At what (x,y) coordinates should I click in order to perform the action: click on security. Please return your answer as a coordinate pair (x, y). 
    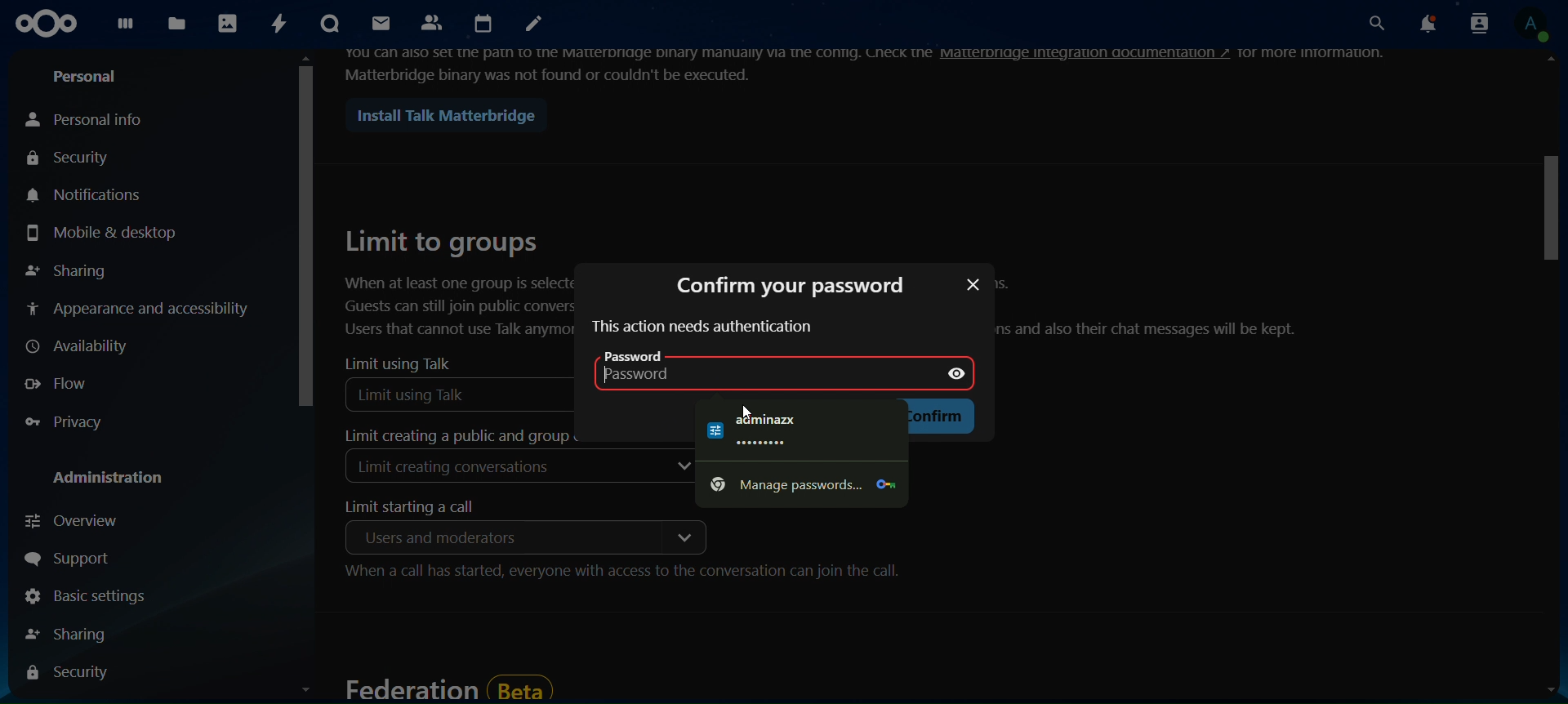
    Looking at the image, I should click on (72, 159).